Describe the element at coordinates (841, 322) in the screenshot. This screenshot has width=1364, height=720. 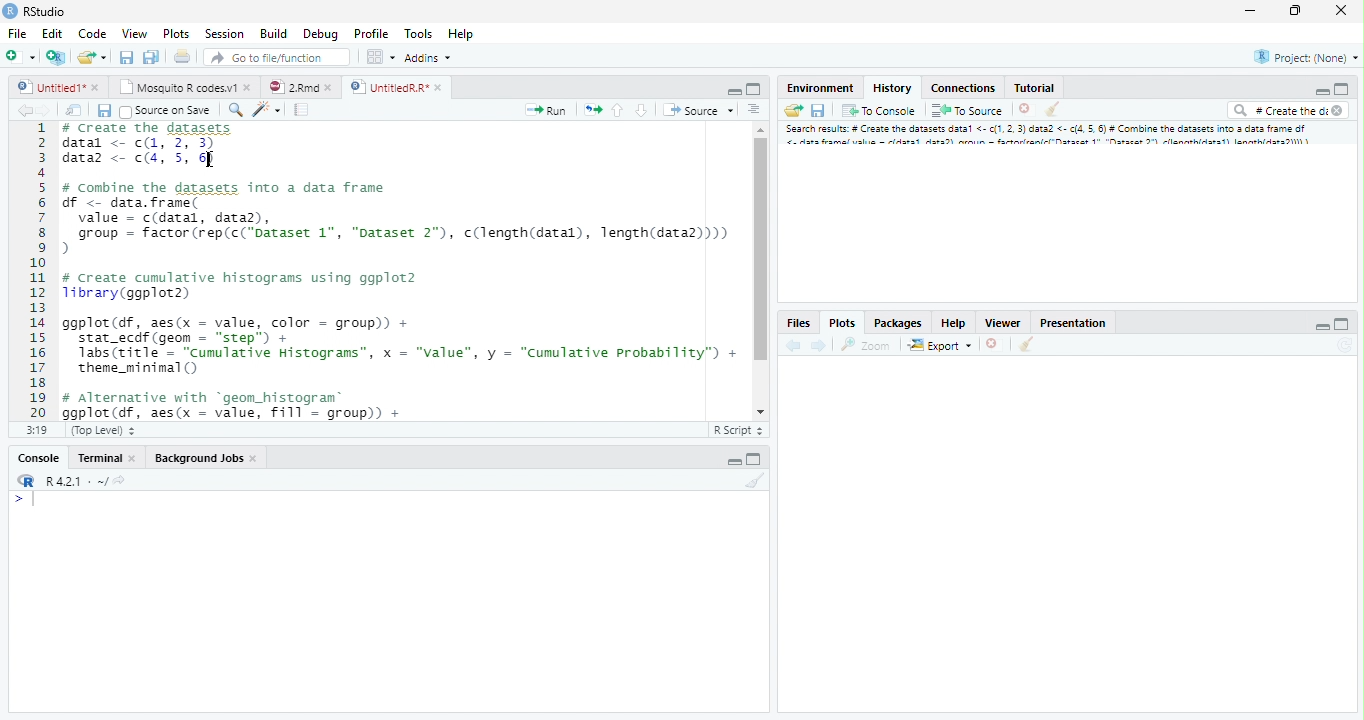
I see `Plots` at that location.